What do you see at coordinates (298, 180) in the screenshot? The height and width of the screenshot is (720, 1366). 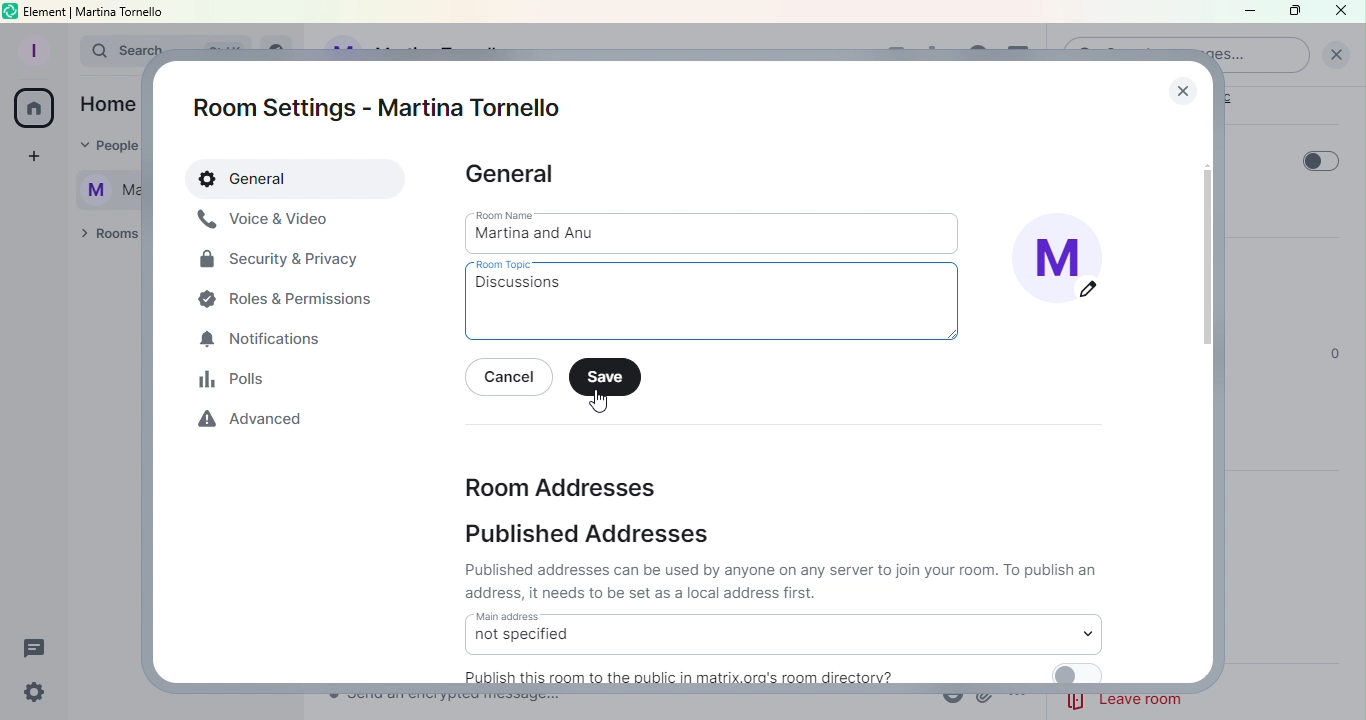 I see `General` at bounding box center [298, 180].